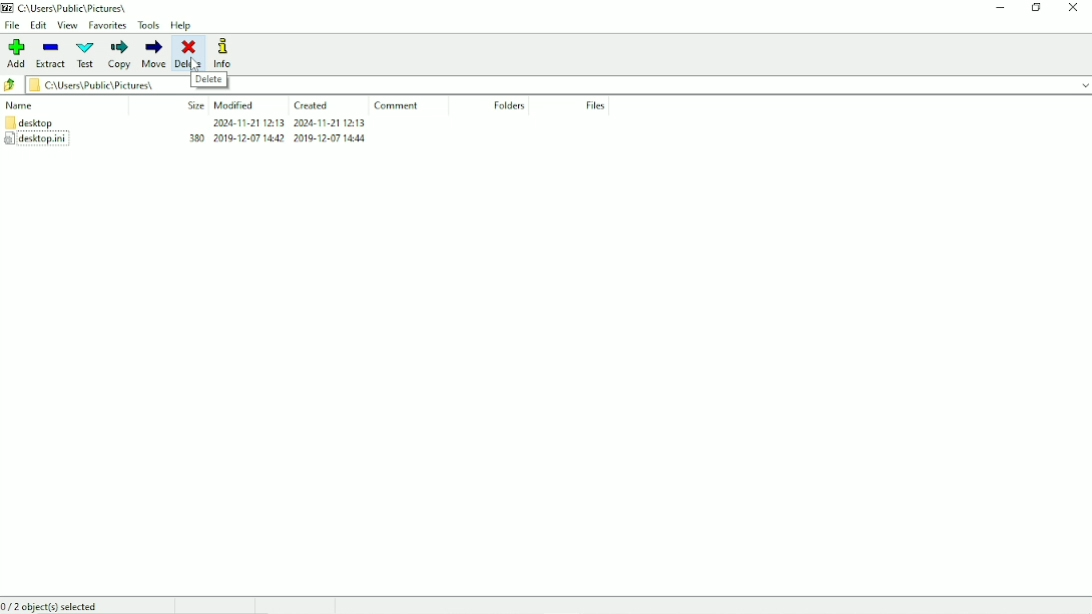 The width and height of the screenshot is (1092, 614). What do you see at coordinates (118, 54) in the screenshot?
I see `Copy` at bounding box center [118, 54].